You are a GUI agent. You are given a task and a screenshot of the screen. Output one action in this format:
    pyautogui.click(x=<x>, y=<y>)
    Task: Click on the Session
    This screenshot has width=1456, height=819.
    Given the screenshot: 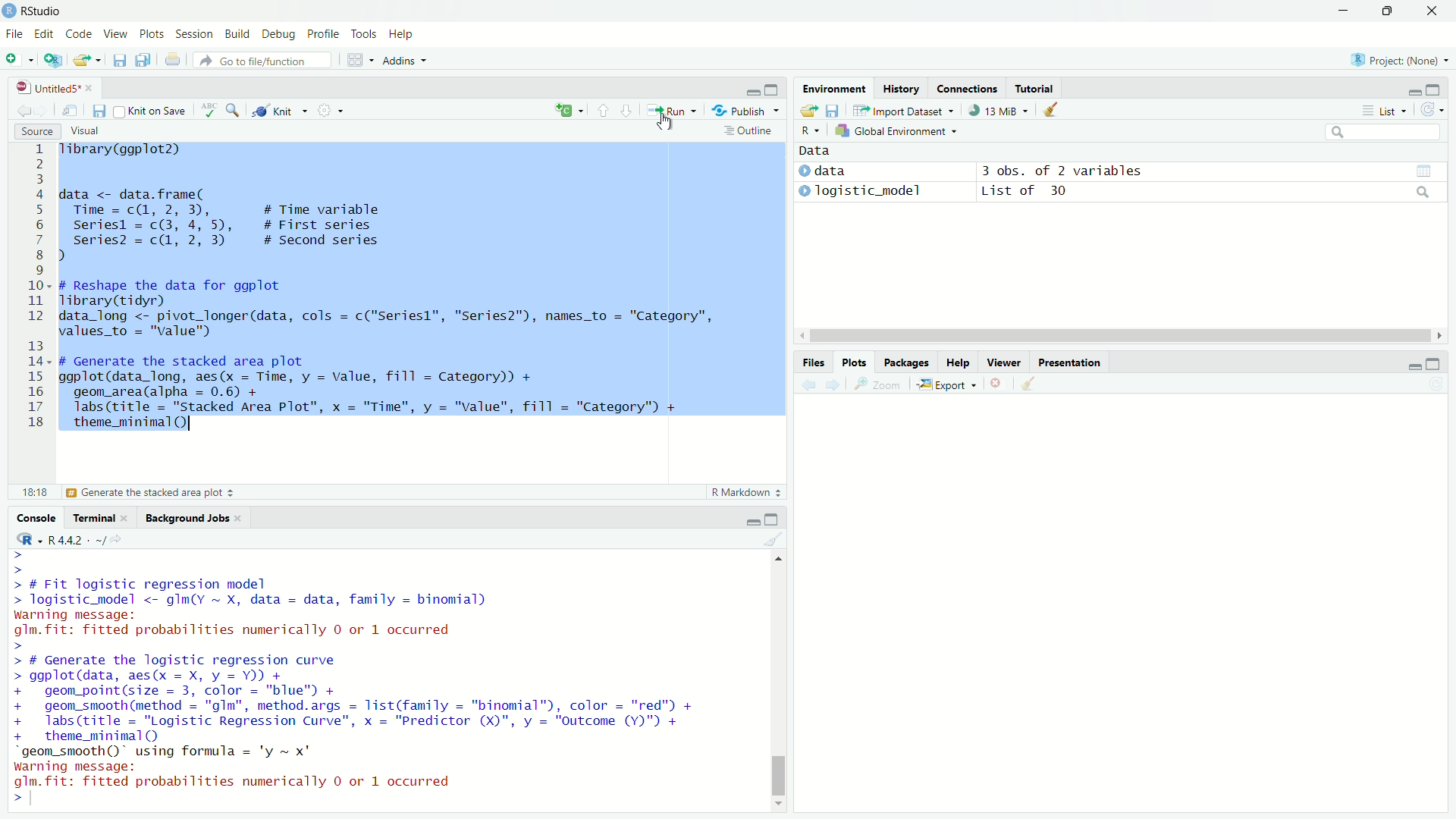 What is the action you would take?
    pyautogui.click(x=193, y=34)
    